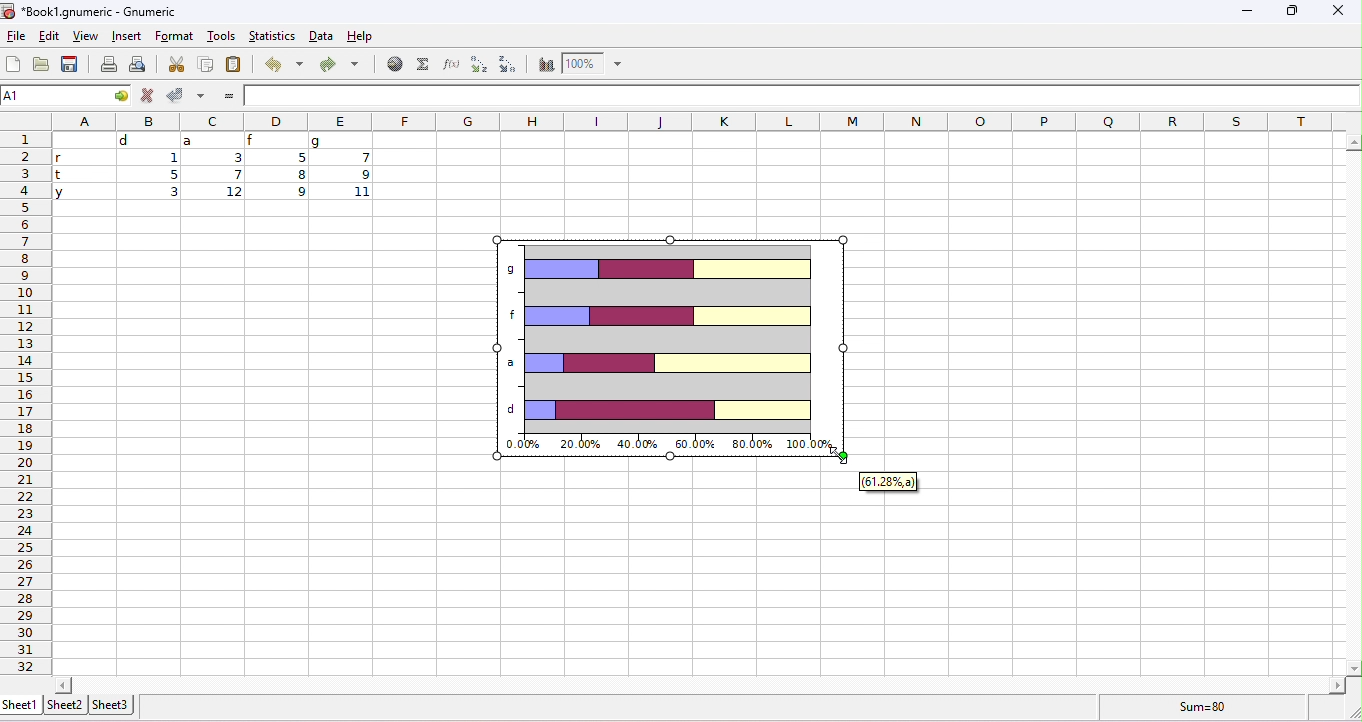  Describe the element at coordinates (1247, 14) in the screenshot. I see `minimize` at that location.